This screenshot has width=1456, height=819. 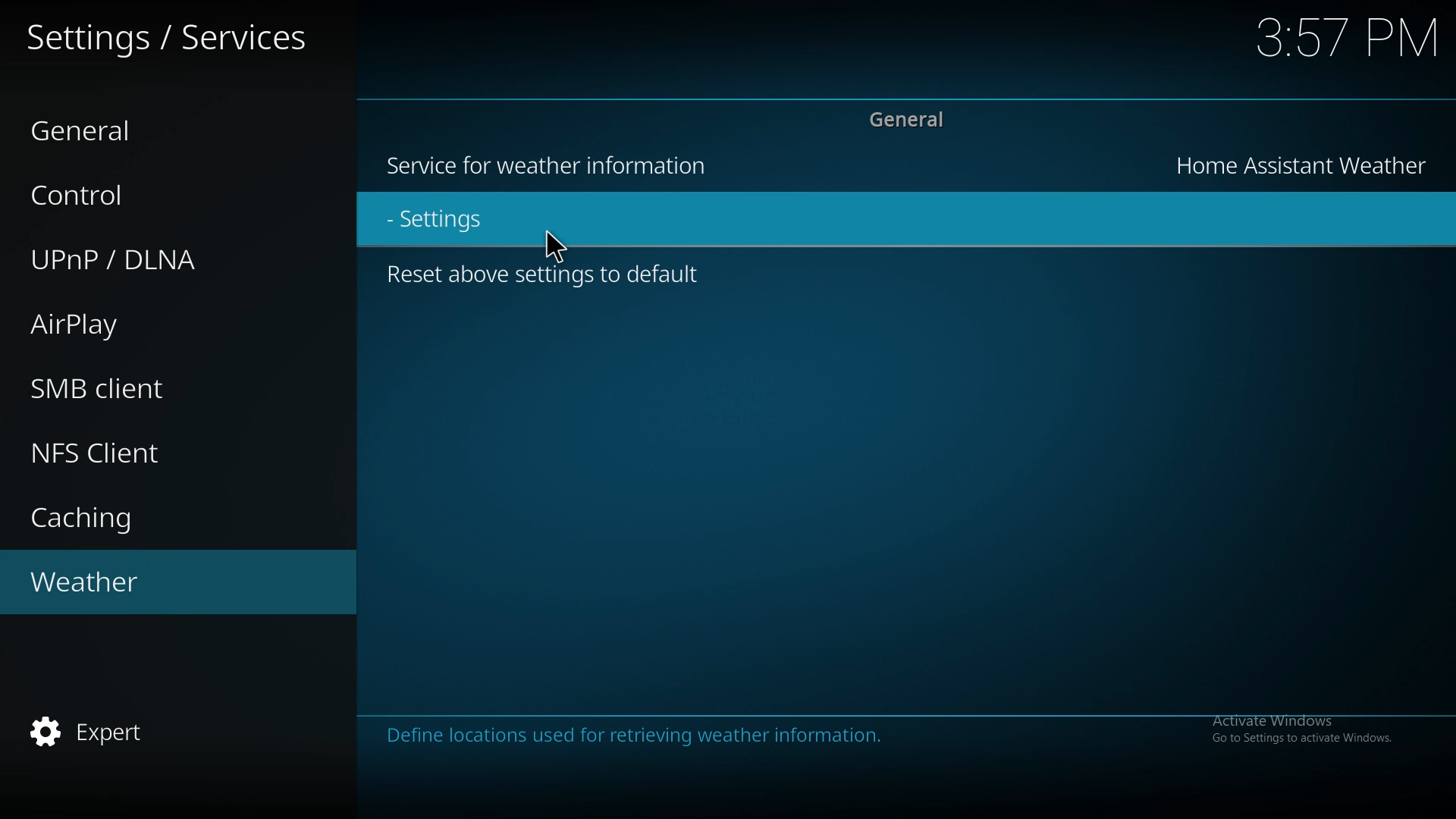 I want to click on info, so click(x=720, y=735).